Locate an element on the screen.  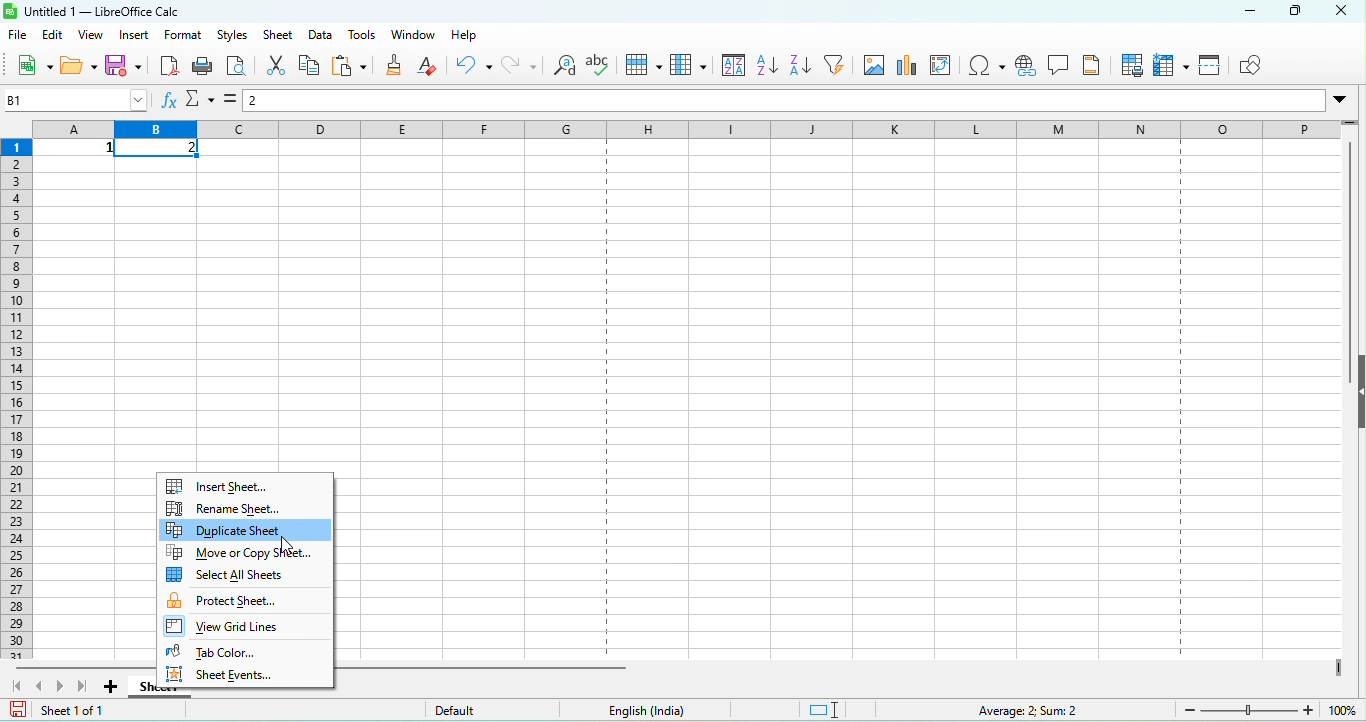
undo  is located at coordinates (473, 67).